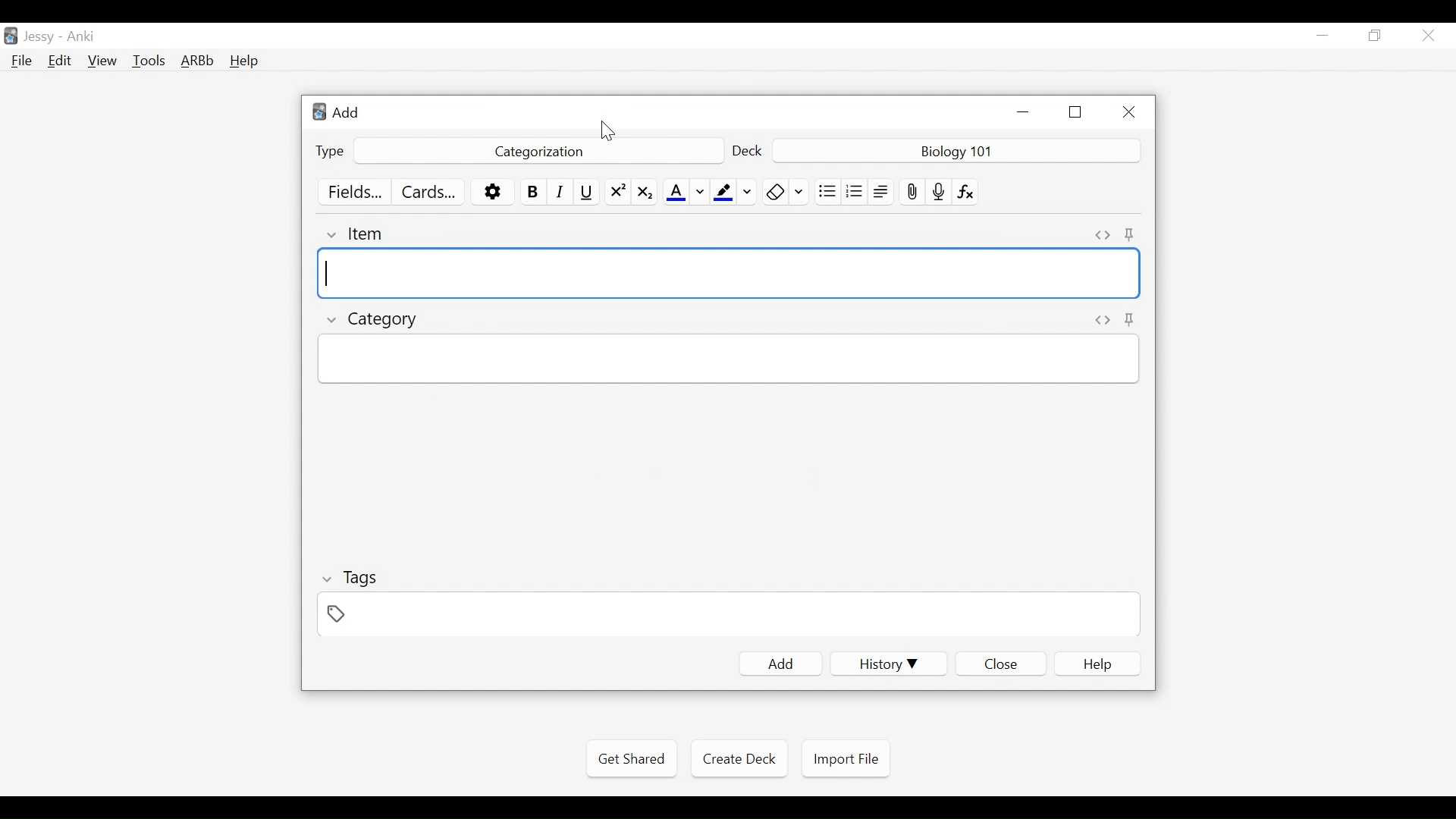 The image size is (1456, 819). Describe the element at coordinates (912, 192) in the screenshot. I see `Upload File` at that location.